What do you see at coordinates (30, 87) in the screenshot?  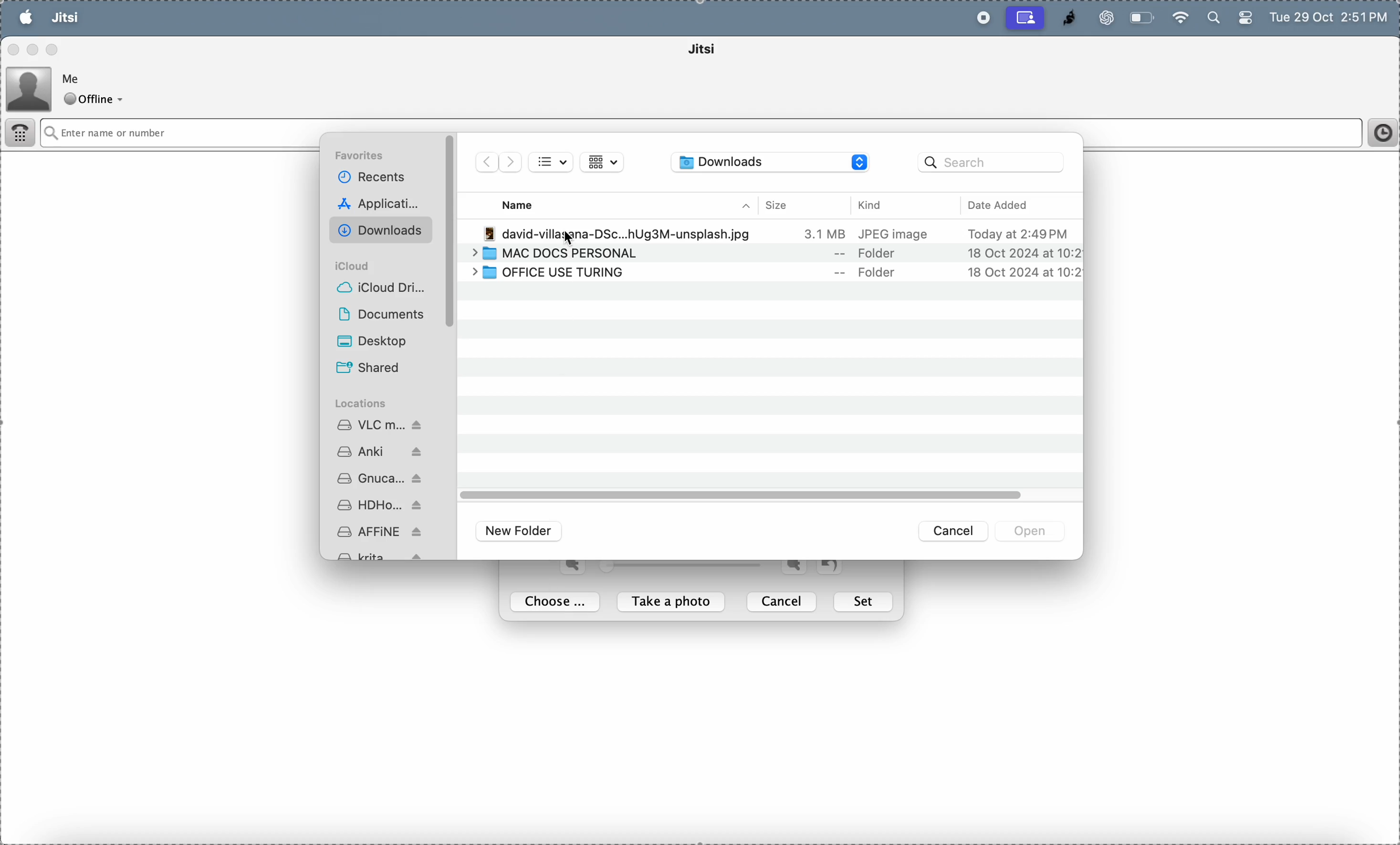 I see `profile` at bounding box center [30, 87].